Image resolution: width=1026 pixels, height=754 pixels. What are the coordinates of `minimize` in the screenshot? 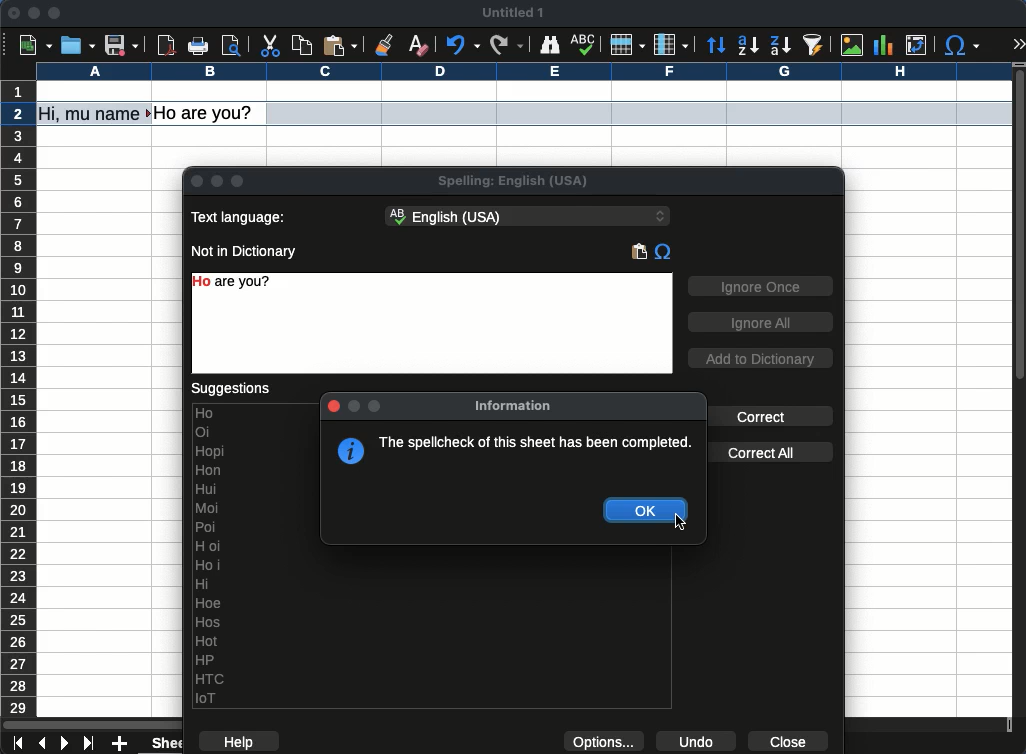 It's located at (33, 13).